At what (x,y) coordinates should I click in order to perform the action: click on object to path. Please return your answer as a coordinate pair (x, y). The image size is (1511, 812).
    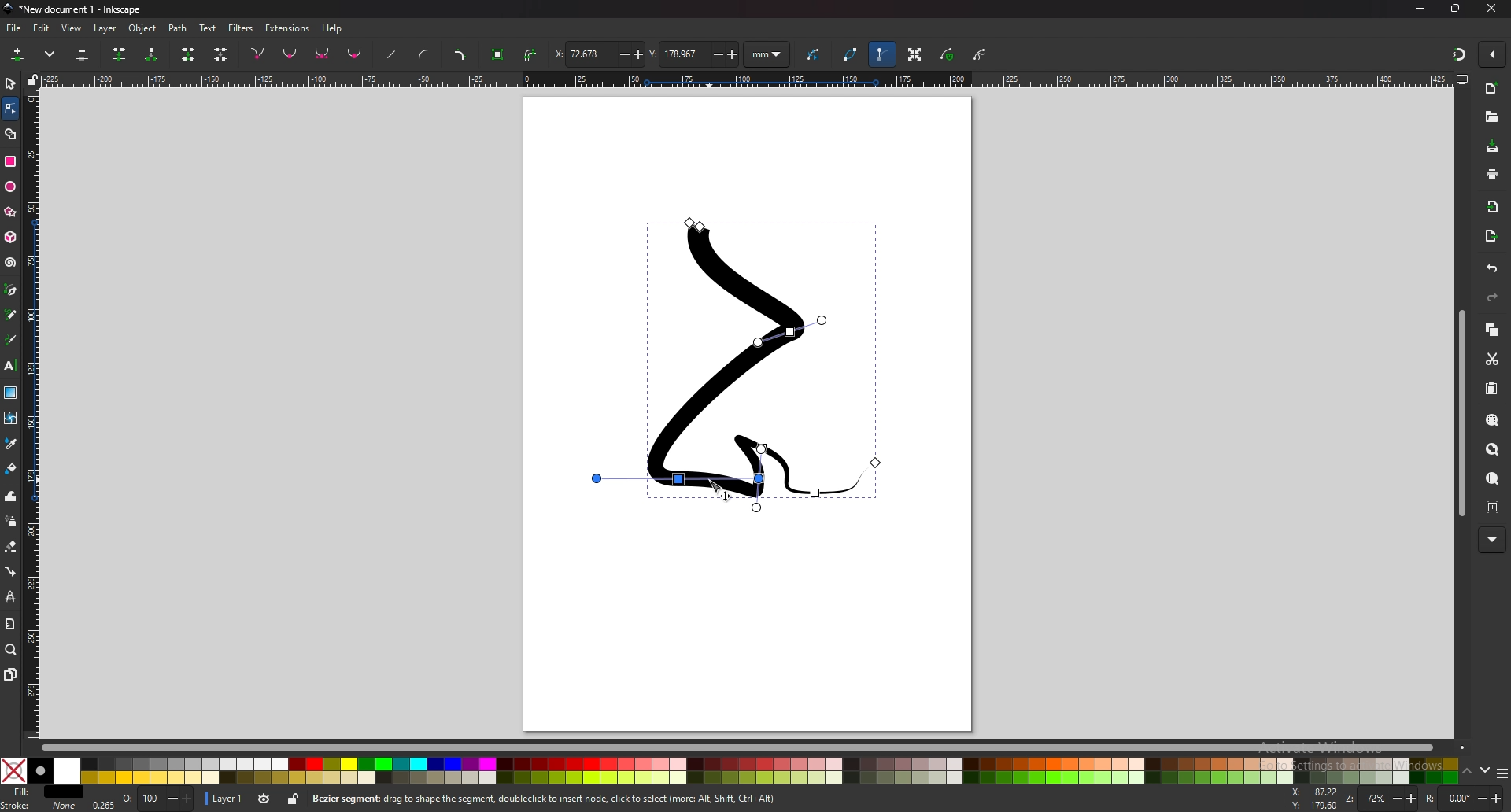
    Looking at the image, I should click on (498, 55).